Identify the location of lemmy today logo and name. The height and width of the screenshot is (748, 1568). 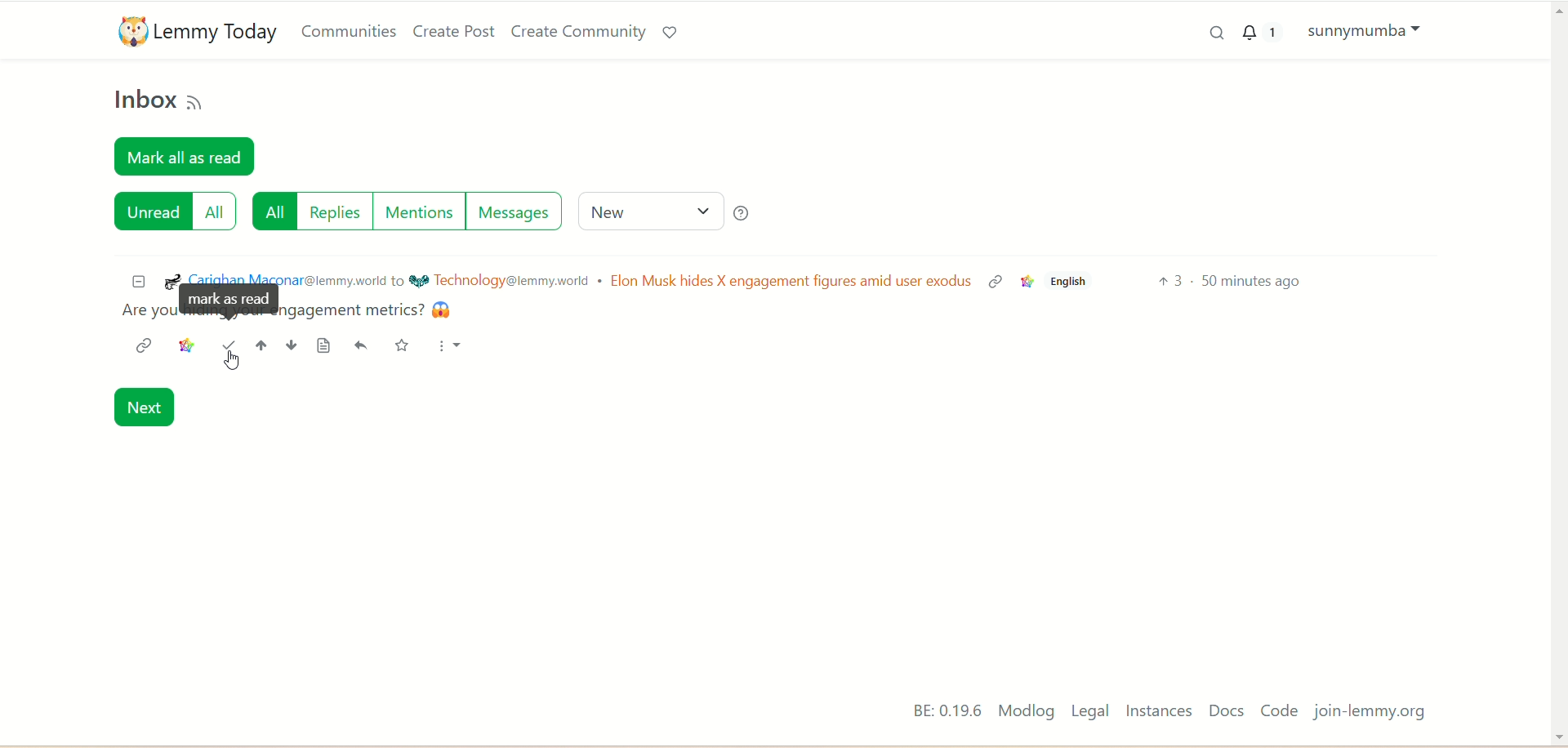
(195, 29).